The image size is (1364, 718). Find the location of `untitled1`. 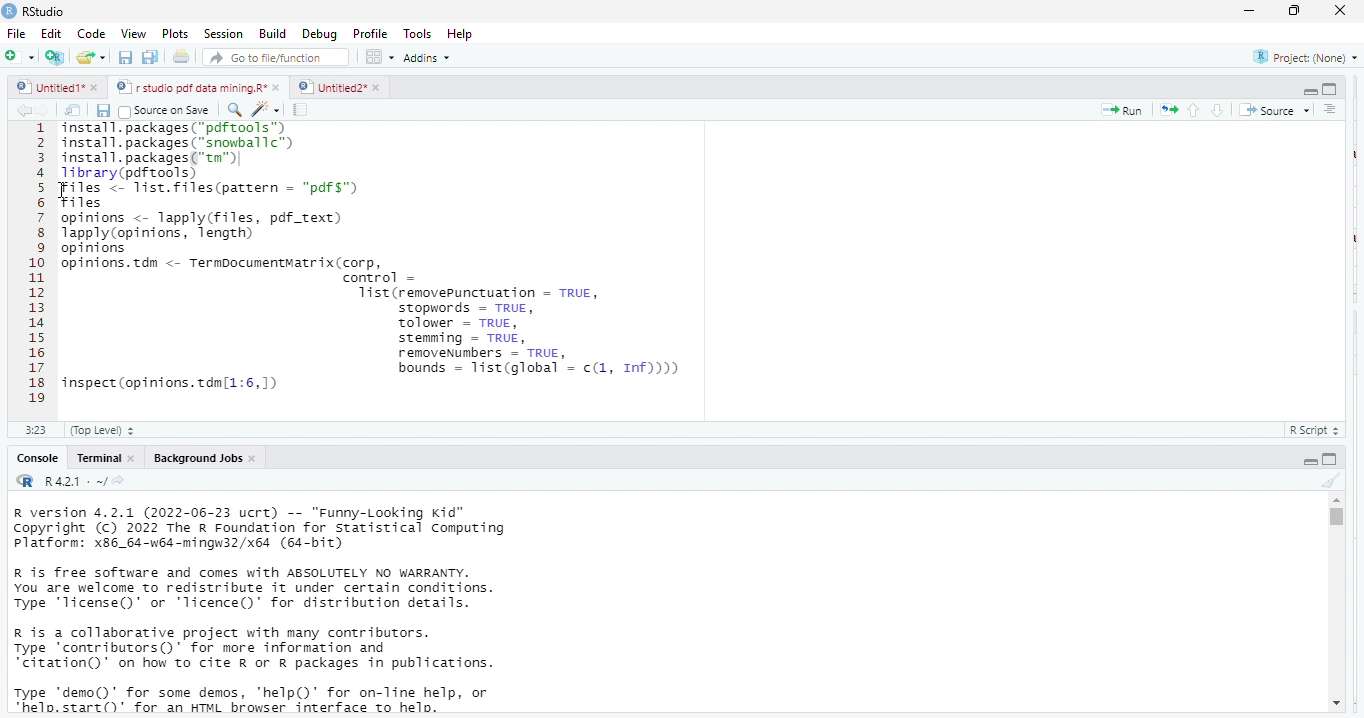

untitled1 is located at coordinates (48, 88).